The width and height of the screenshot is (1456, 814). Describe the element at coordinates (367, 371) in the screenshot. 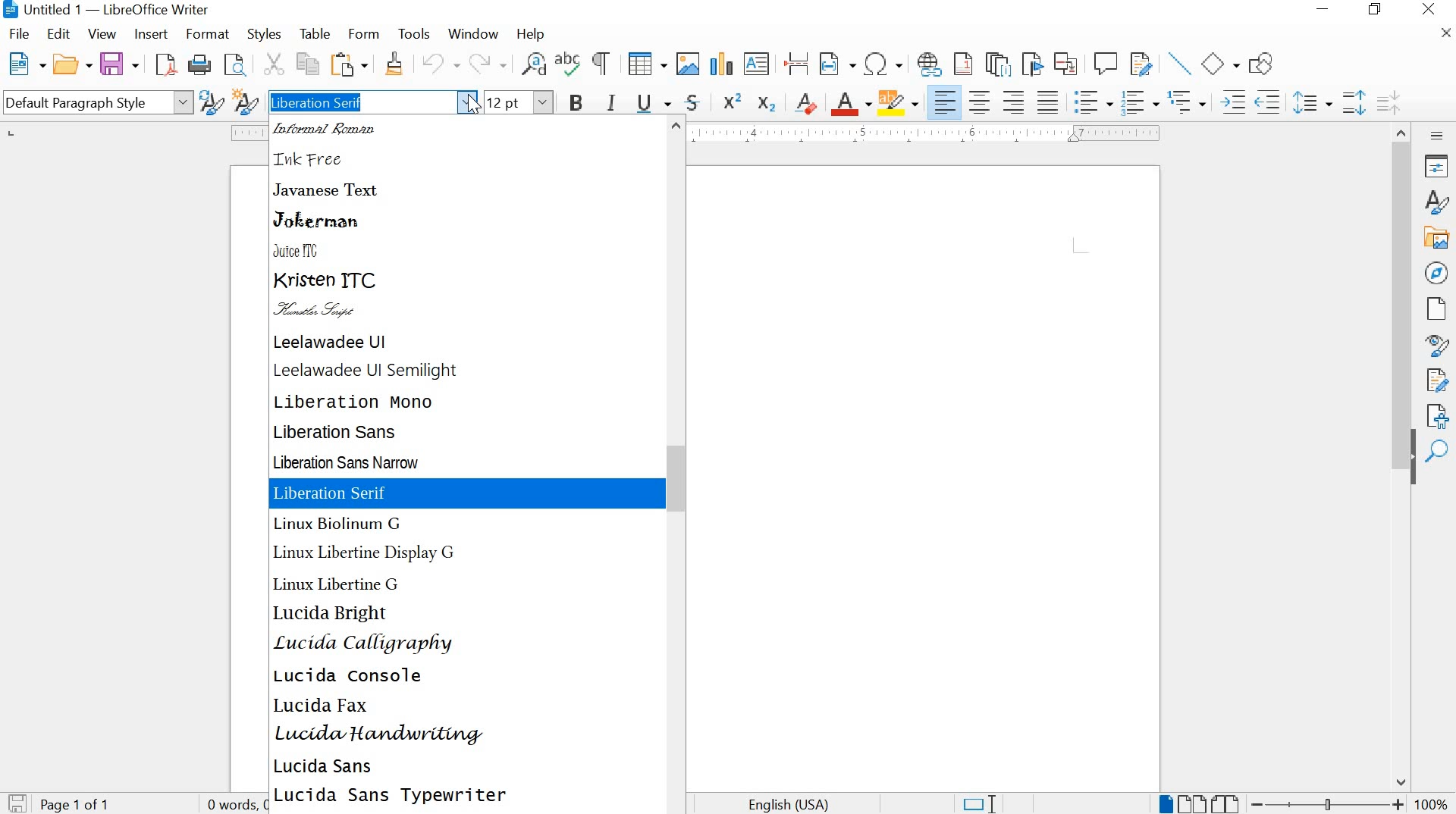

I see `LEELAWADEE UI SEMILIGHT` at that location.